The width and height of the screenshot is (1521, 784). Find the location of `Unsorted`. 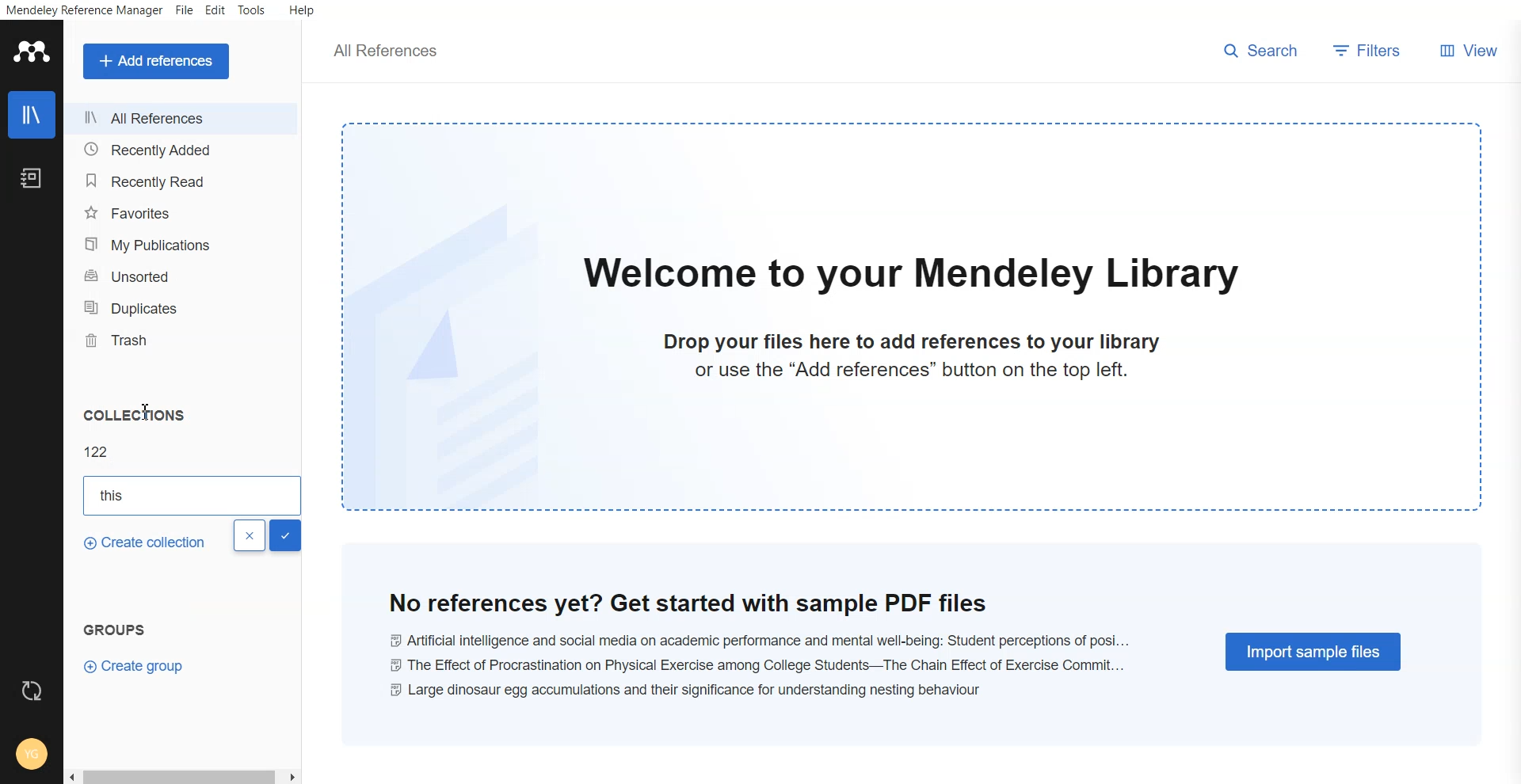

Unsorted is located at coordinates (183, 276).